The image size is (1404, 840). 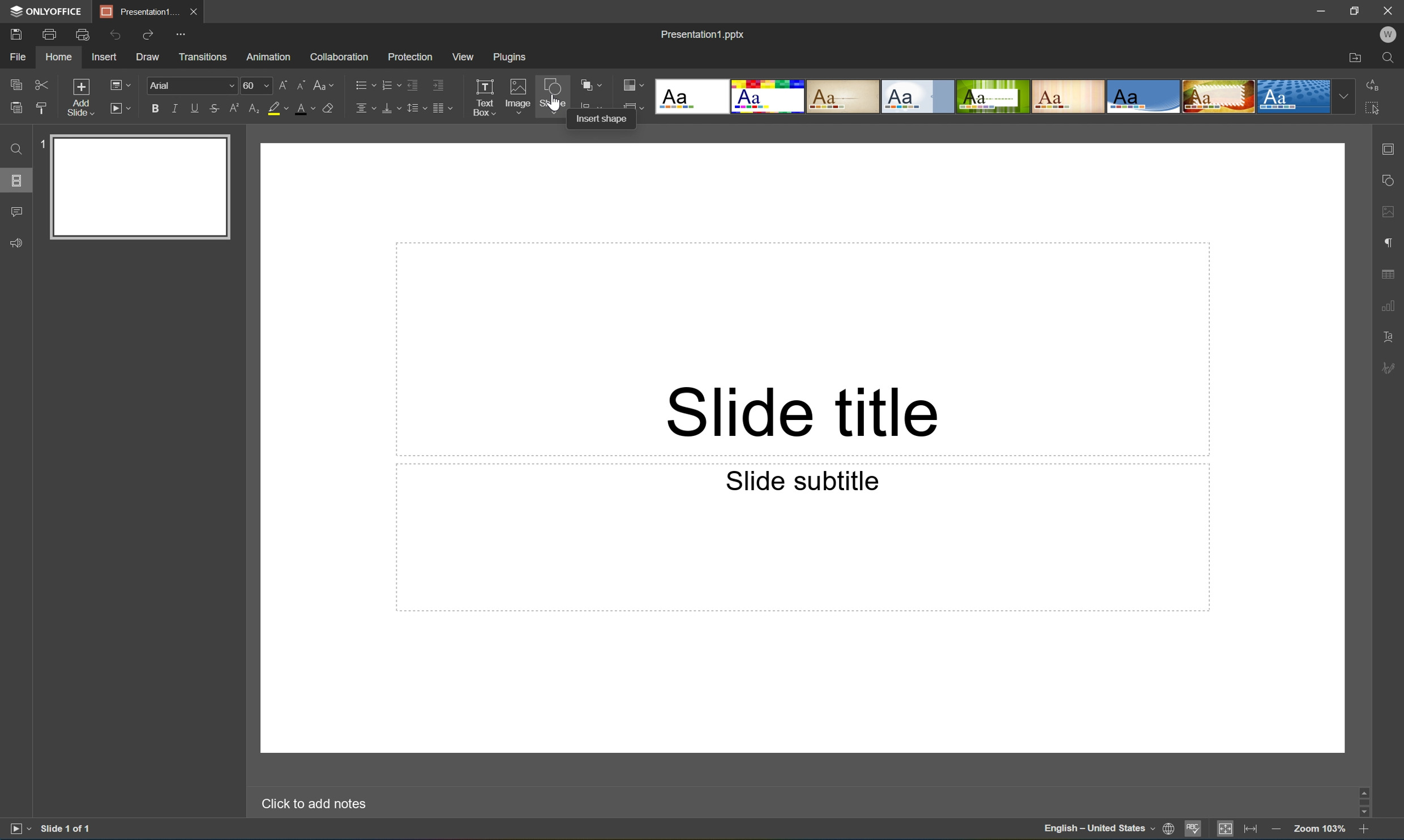 I want to click on Animation, so click(x=271, y=58).